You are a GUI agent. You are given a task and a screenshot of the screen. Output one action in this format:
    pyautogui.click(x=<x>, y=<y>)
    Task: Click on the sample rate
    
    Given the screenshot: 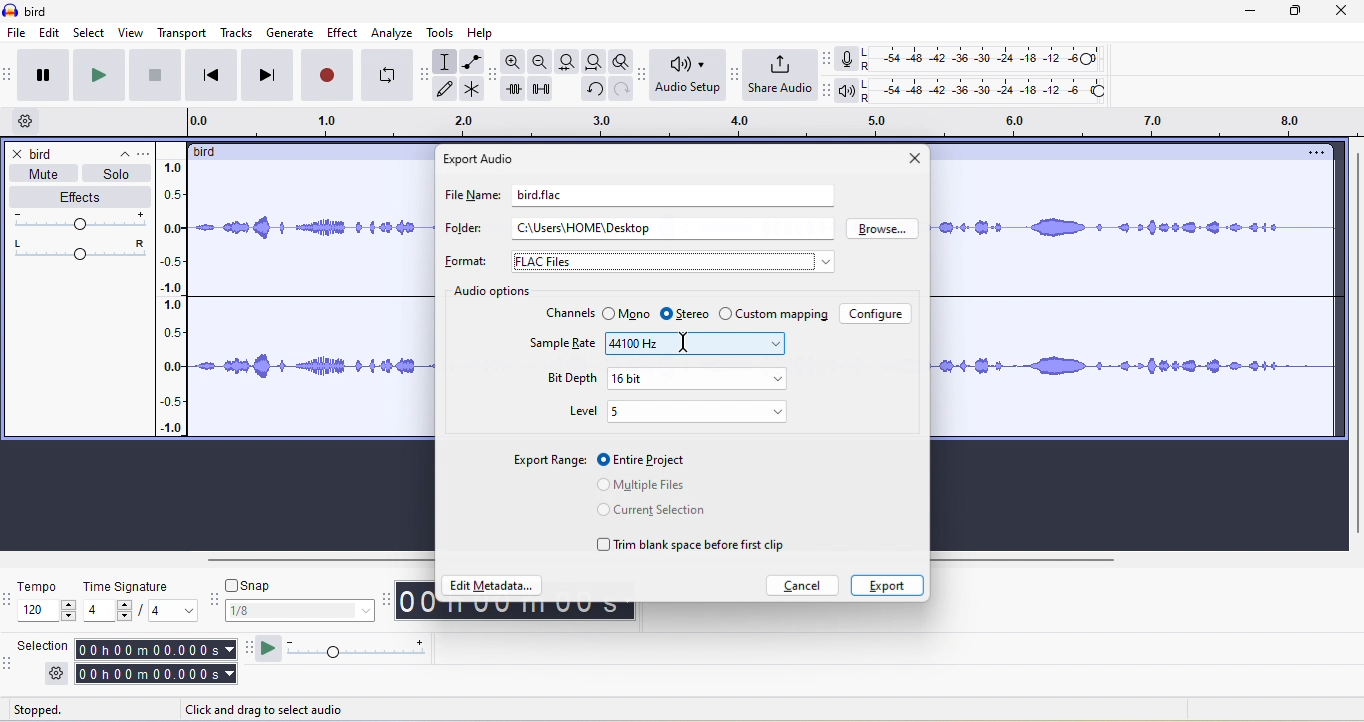 What is the action you would take?
    pyautogui.click(x=566, y=347)
    